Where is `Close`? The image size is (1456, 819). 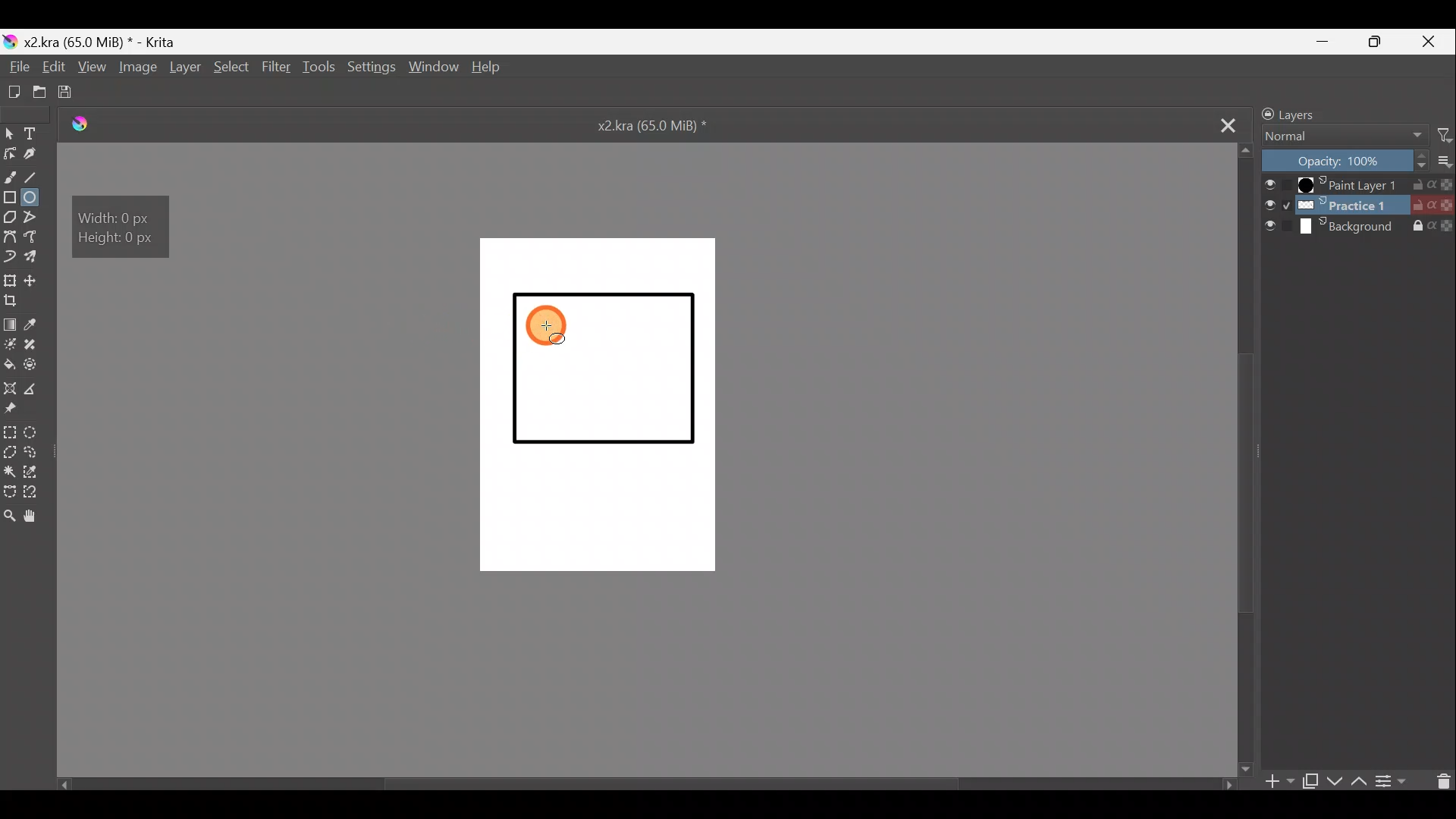 Close is located at coordinates (1434, 41).